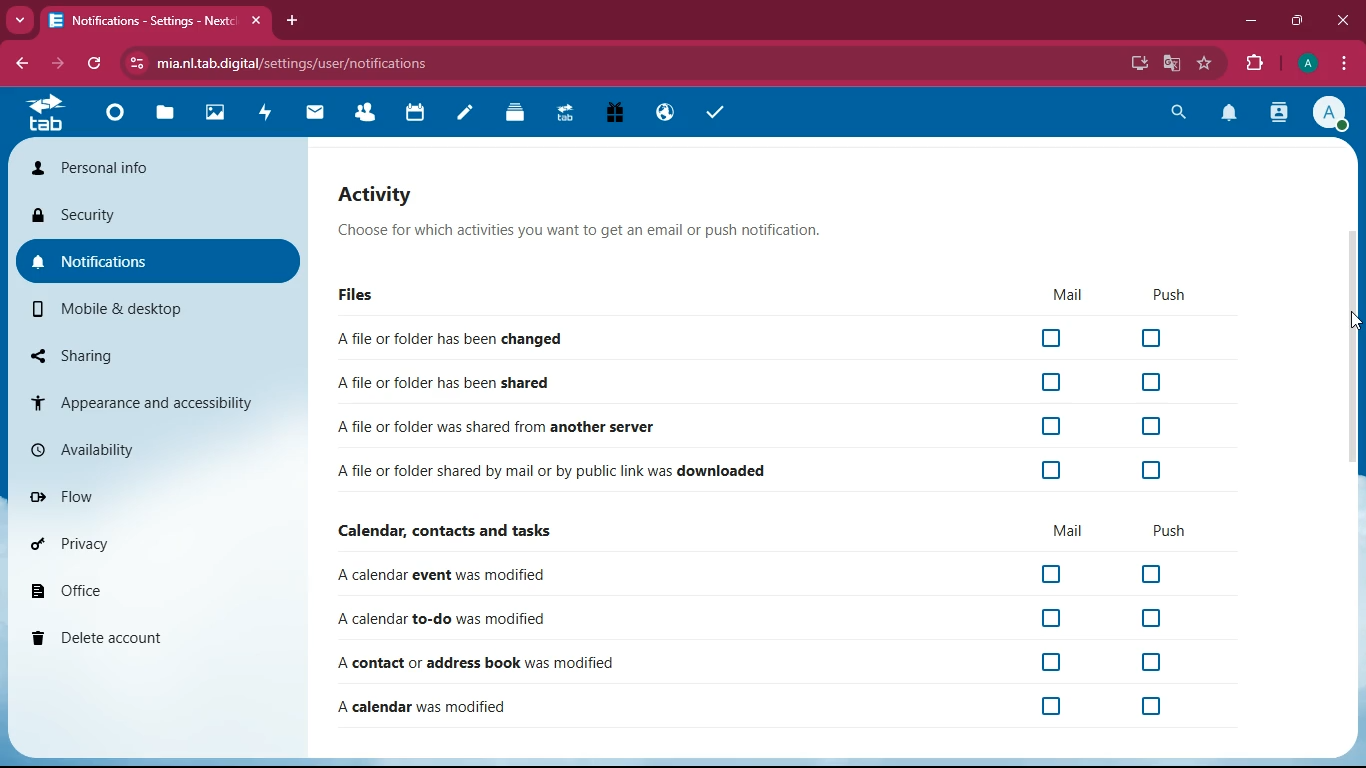 The image size is (1366, 768). I want to click on office, so click(157, 588).